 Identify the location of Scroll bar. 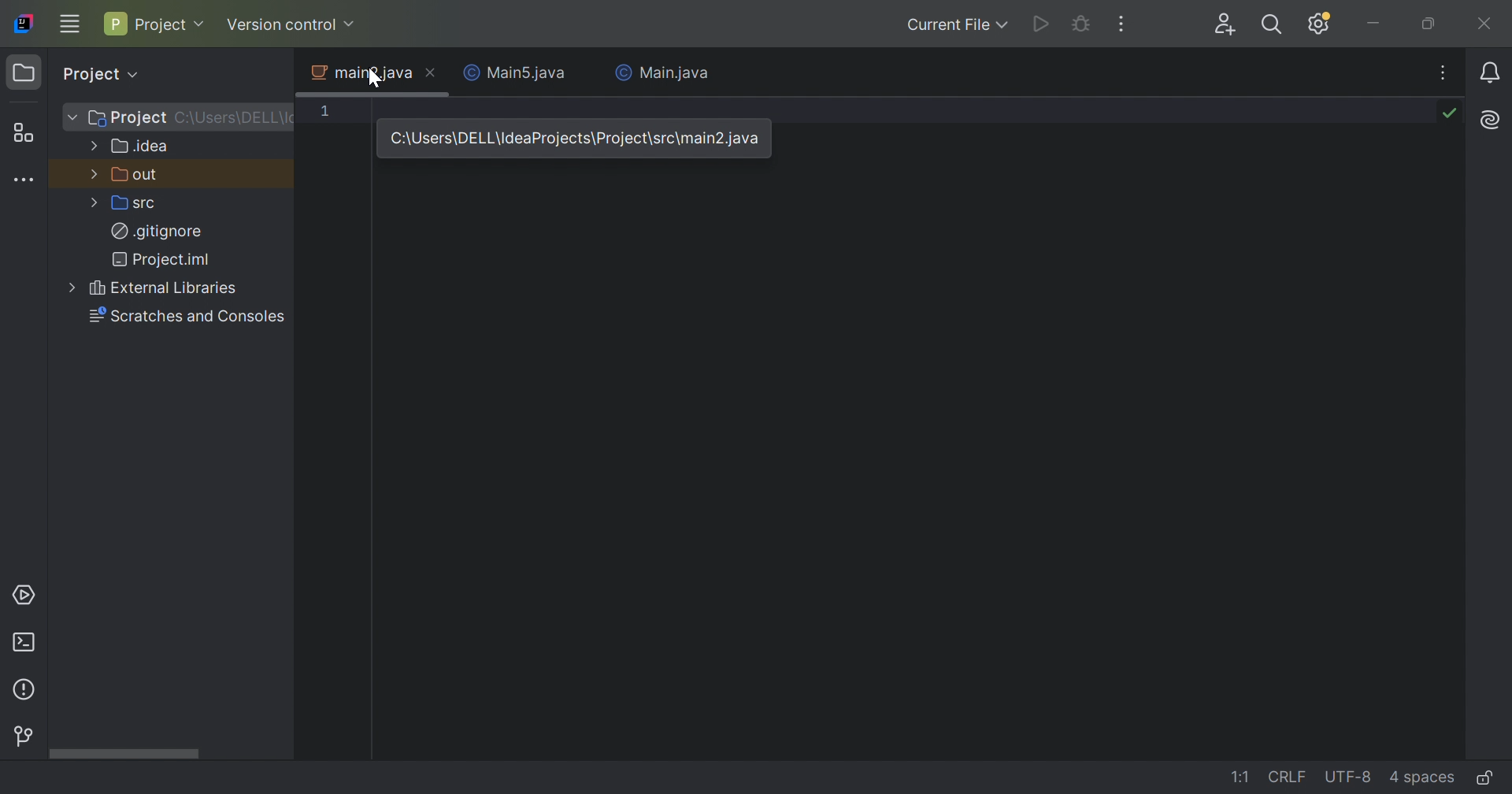
(121, 755).